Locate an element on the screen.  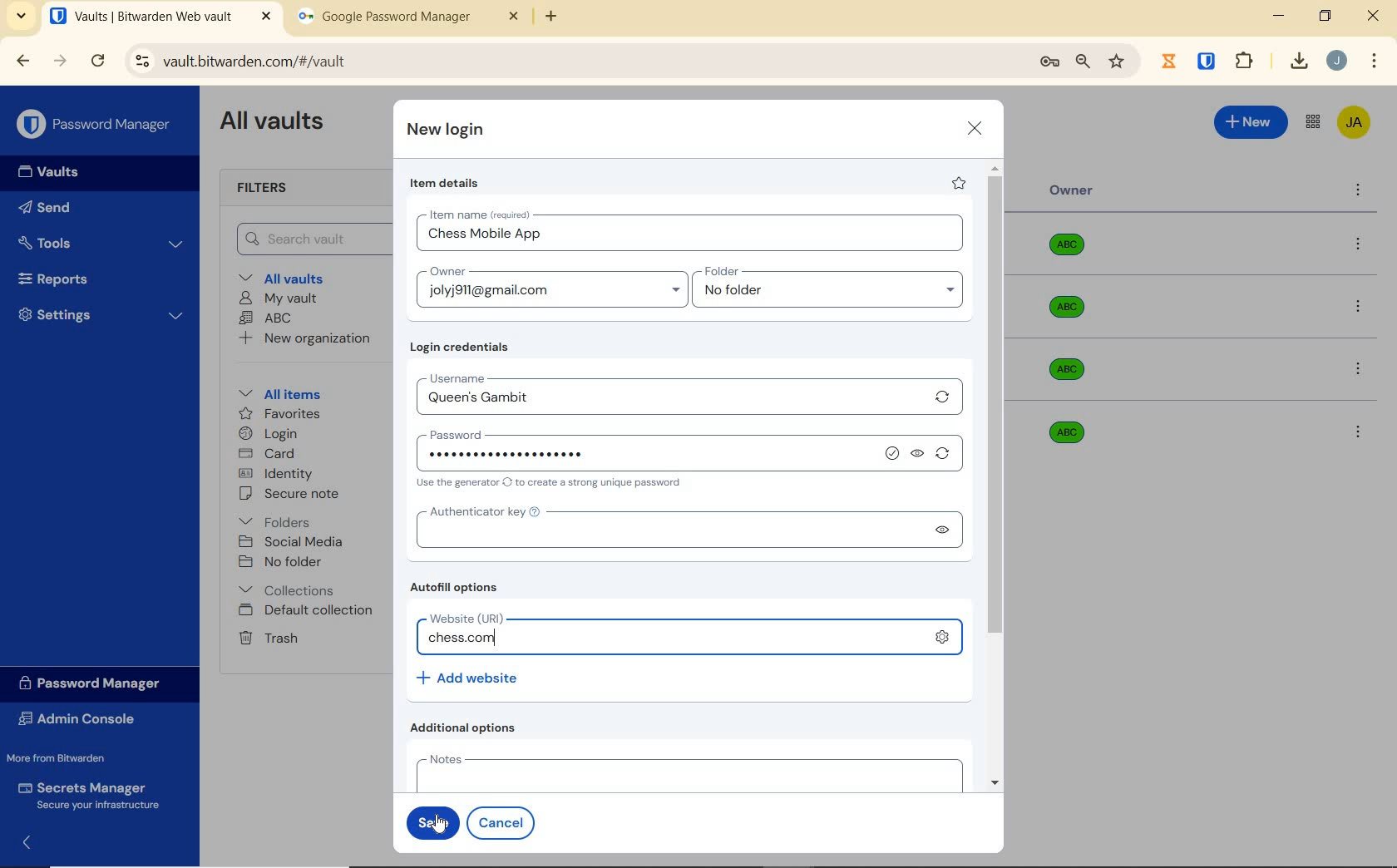
toggle between admin console and password manager is located at coordinates (1311, 123).